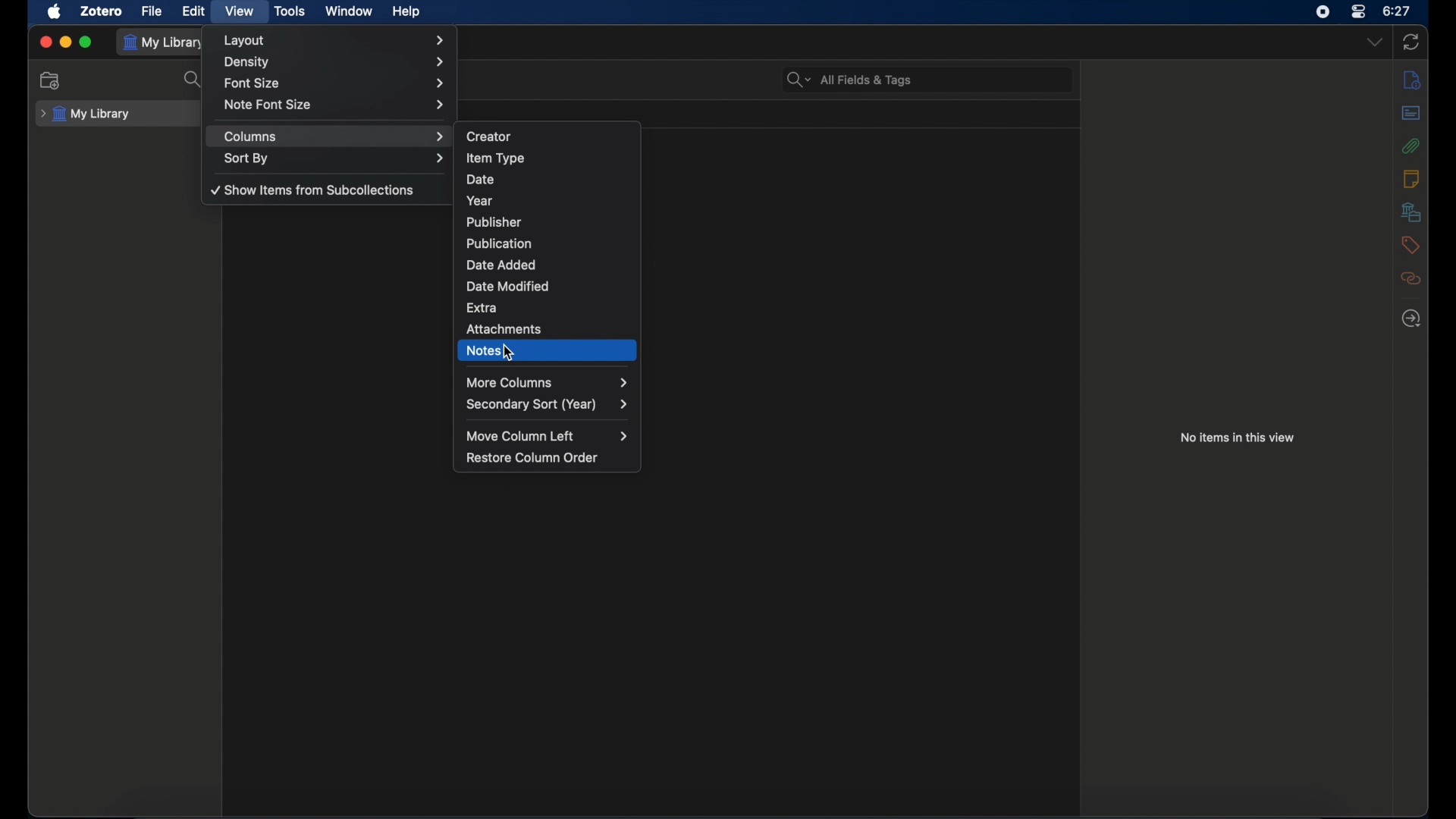 This screenshot has height=819, width=1456. Describe the element at coordinates (850, 80) in the screenshot. I see `search bar` at that location.